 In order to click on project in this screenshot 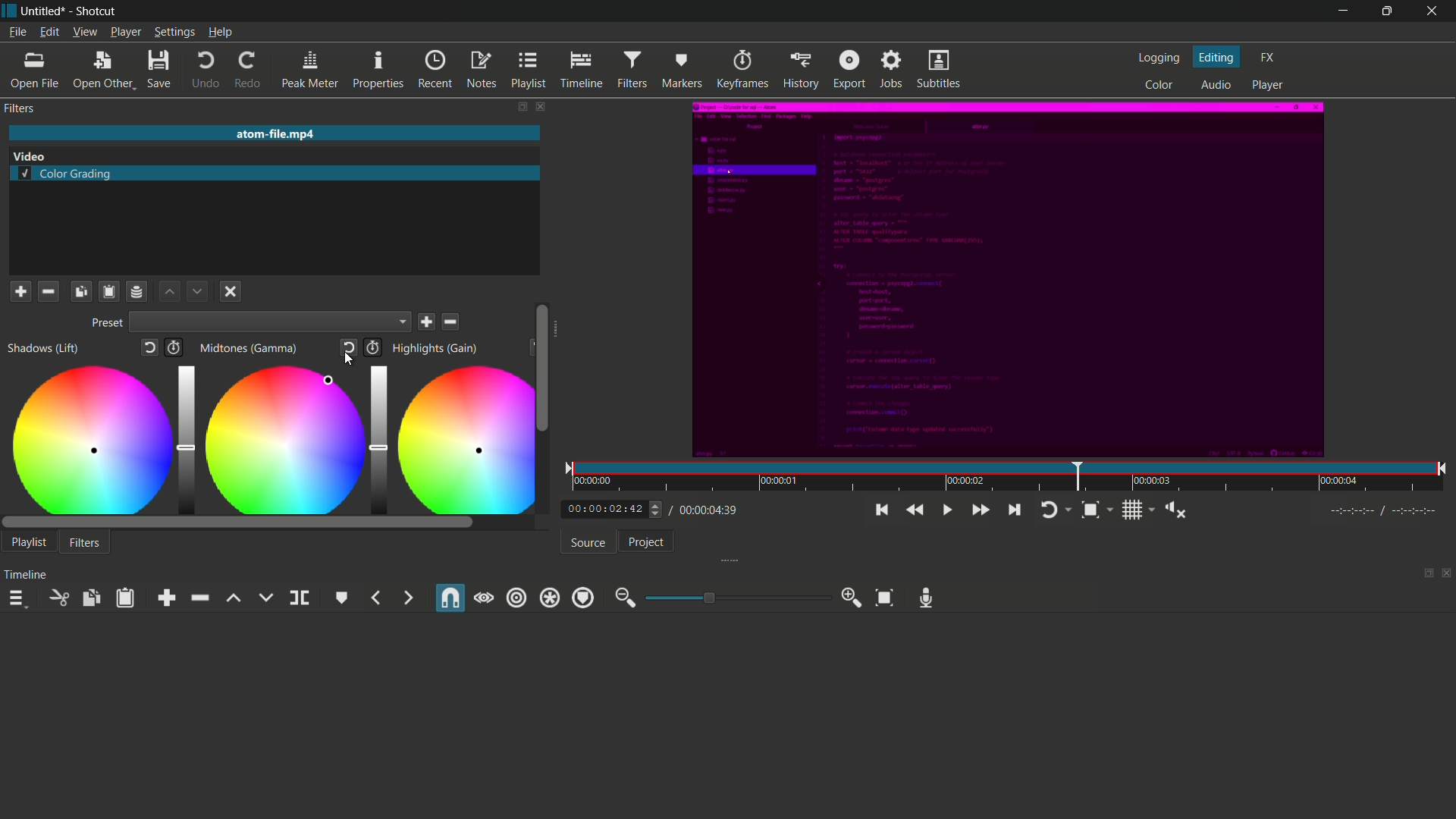, I will do `click(645, 542)`.